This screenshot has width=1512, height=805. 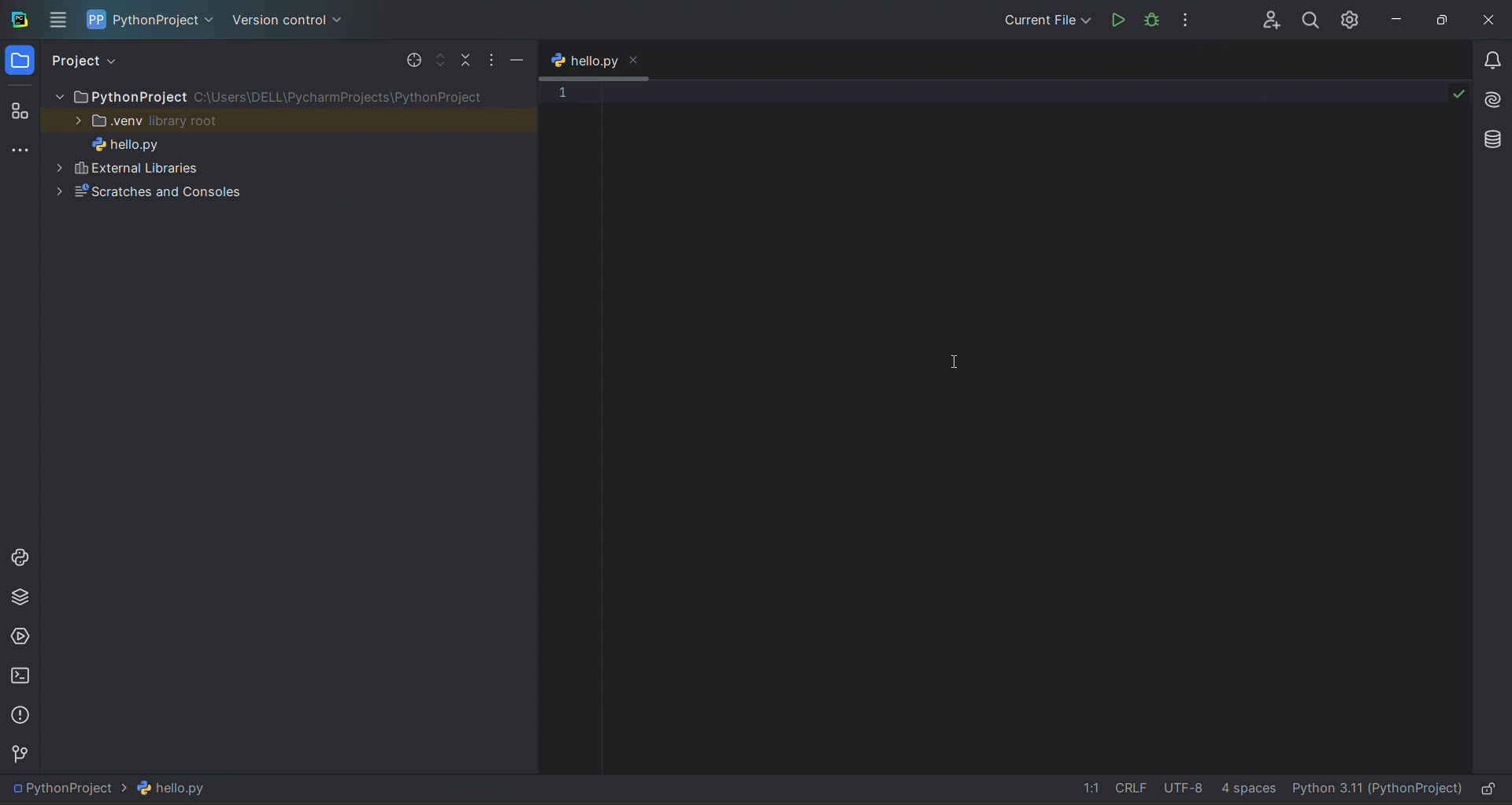 What do you see at coordinates (138, 167) in the screenshot?
I see `External Libaries` at bounding box center [138, 167].